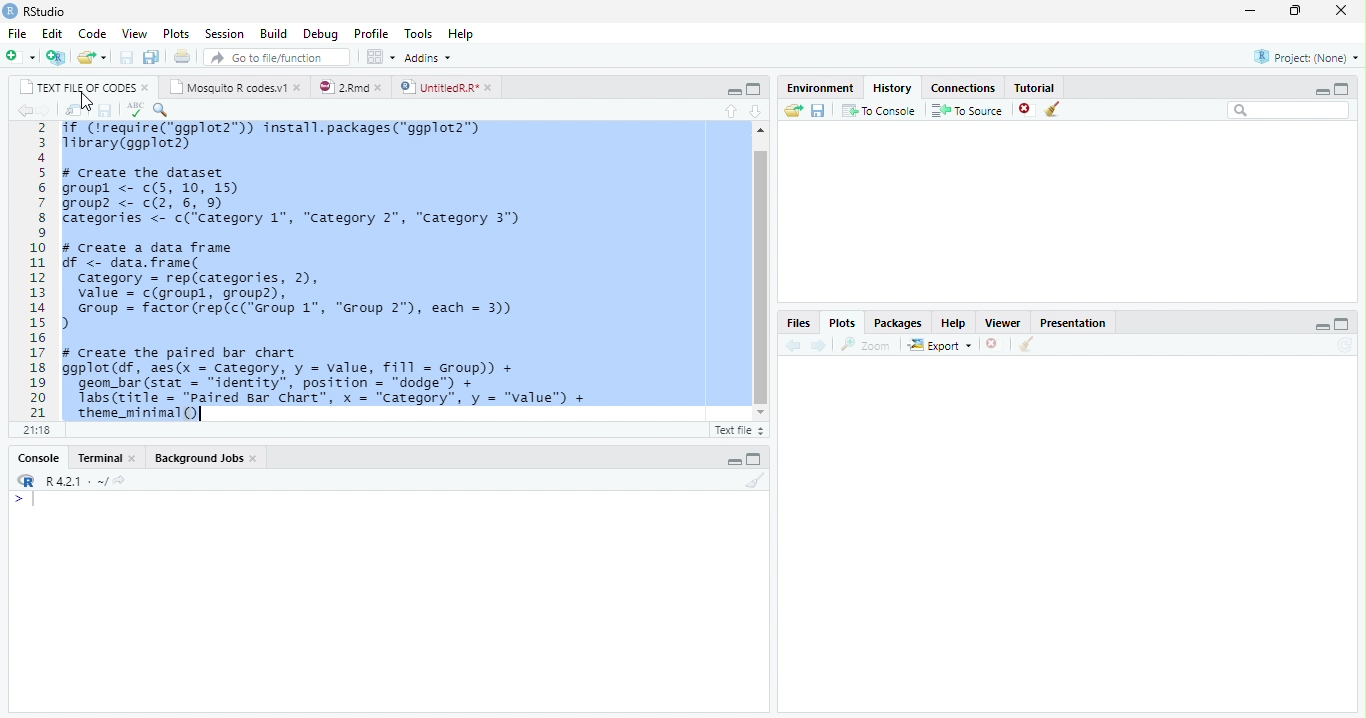 This screenshot has width=1366, height=718. I want to click on share icon, so click(122, 480).